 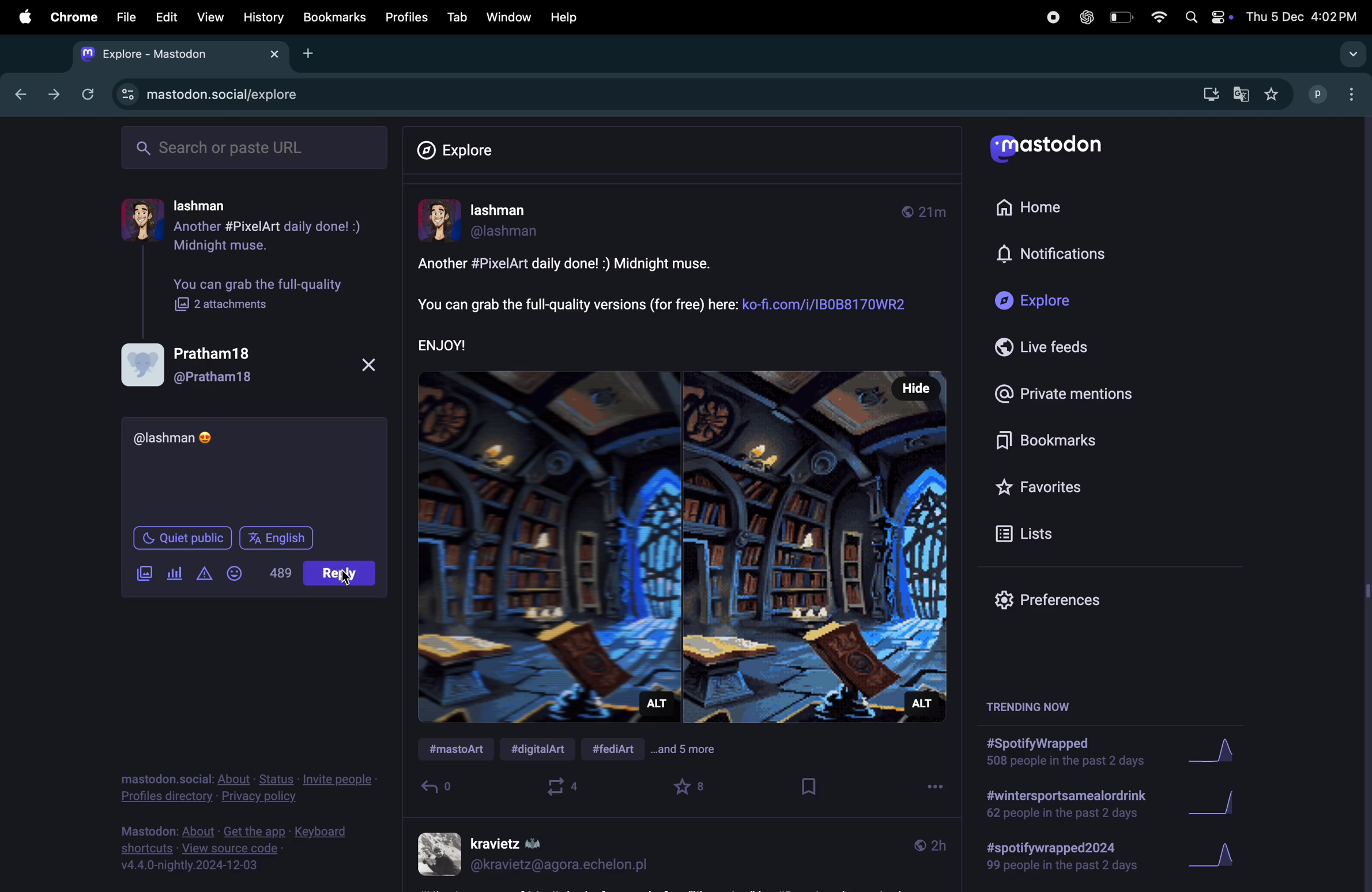 What do you see at coordinates (22, 17) in the screenshot?
I see `apple menu` at bounding box center [22, 17].